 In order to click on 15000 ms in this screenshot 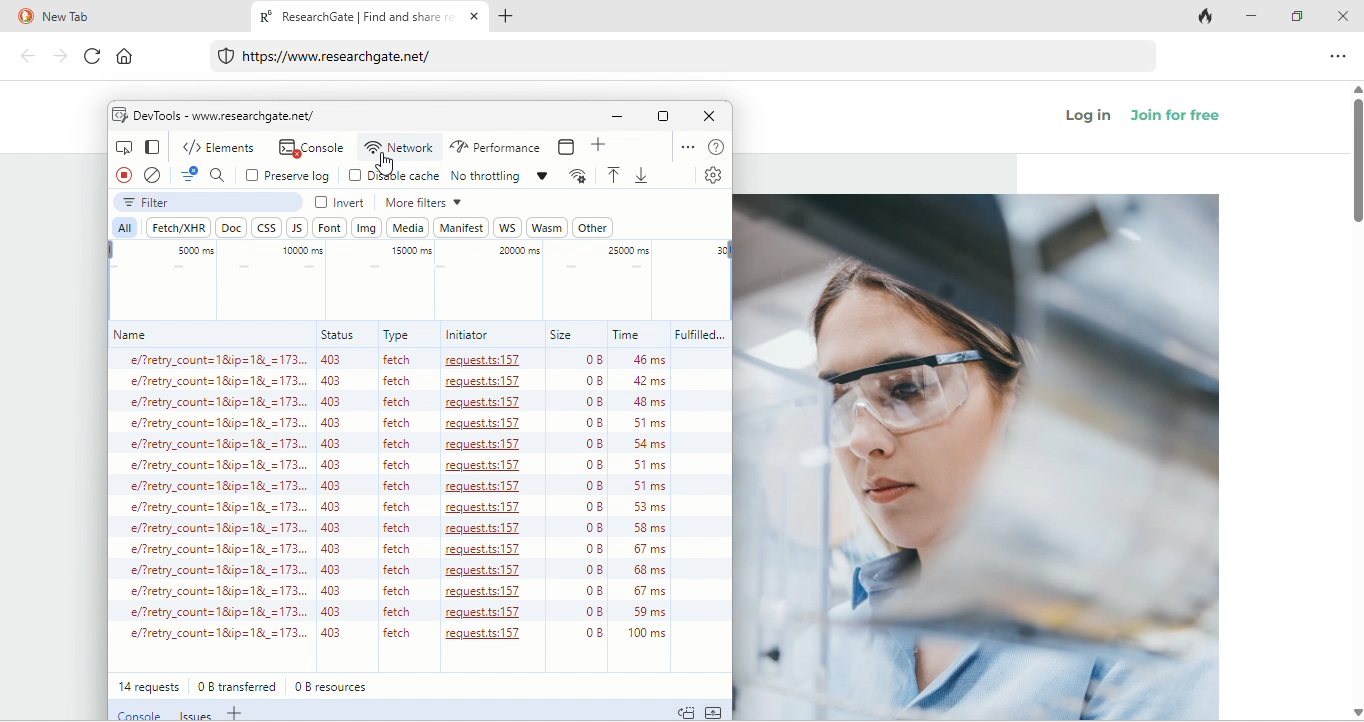, I will do `click(411, 250)`.